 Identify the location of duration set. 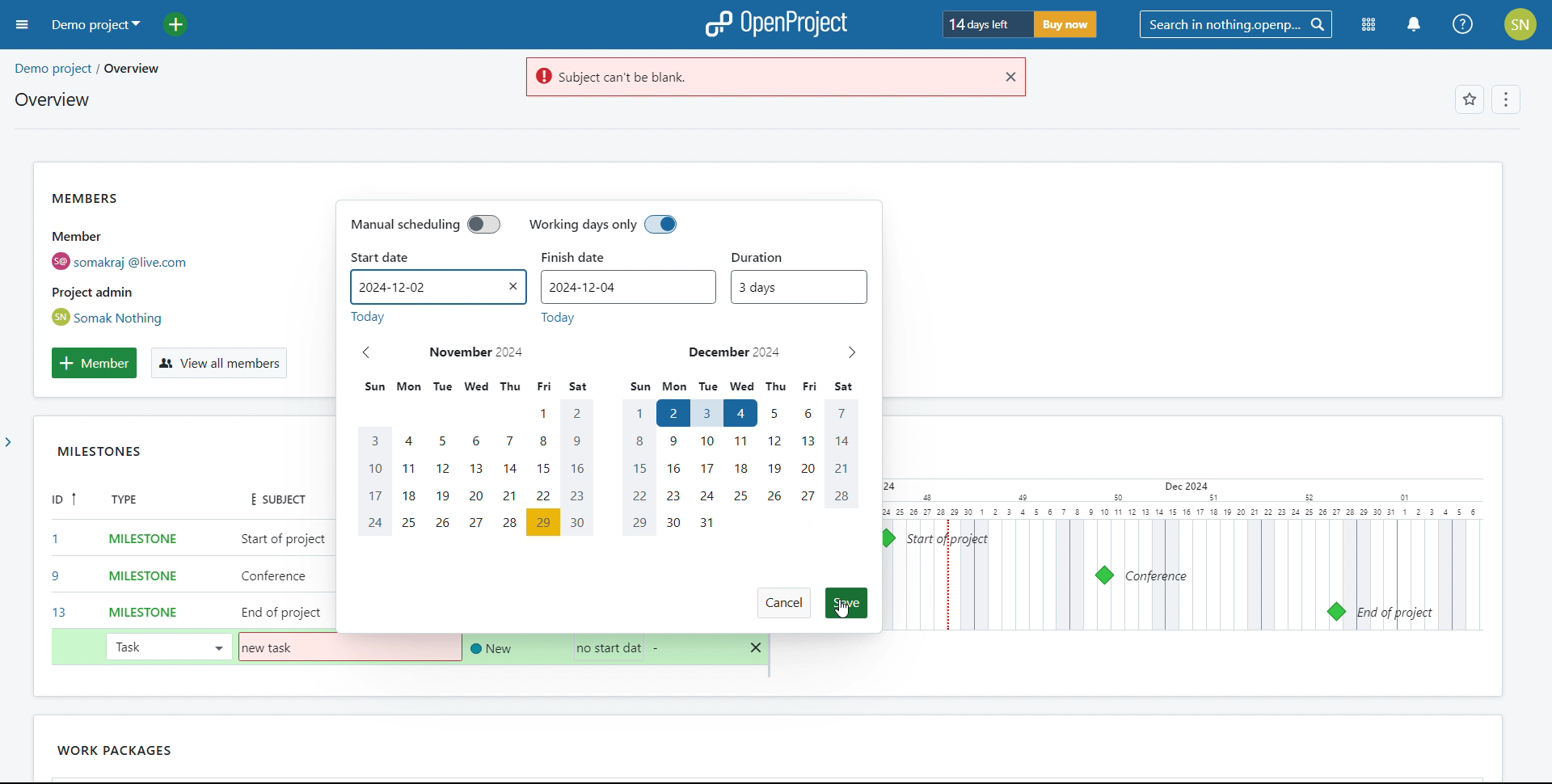
(799, 286).